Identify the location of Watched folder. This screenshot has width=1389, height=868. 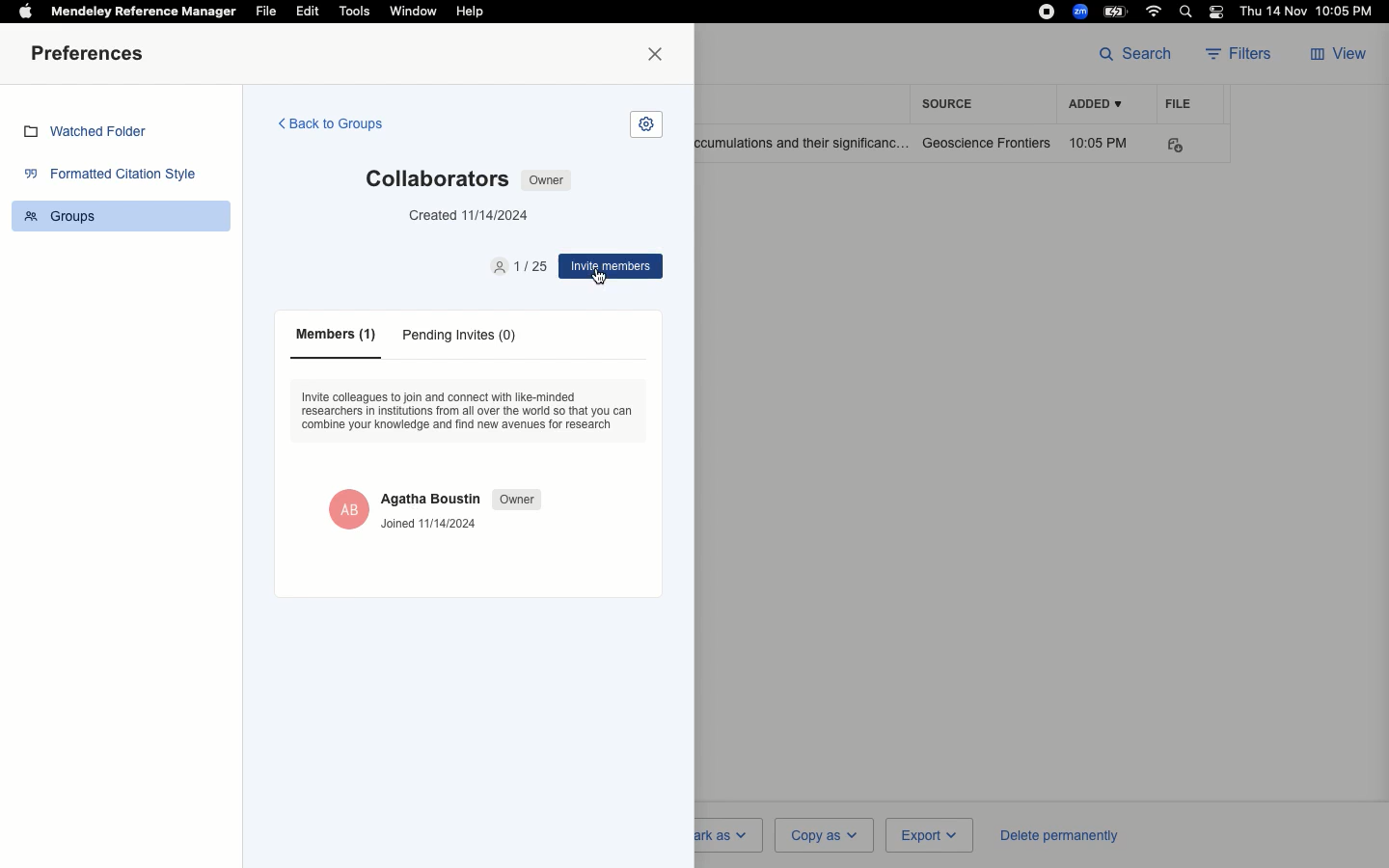
(92, 134).